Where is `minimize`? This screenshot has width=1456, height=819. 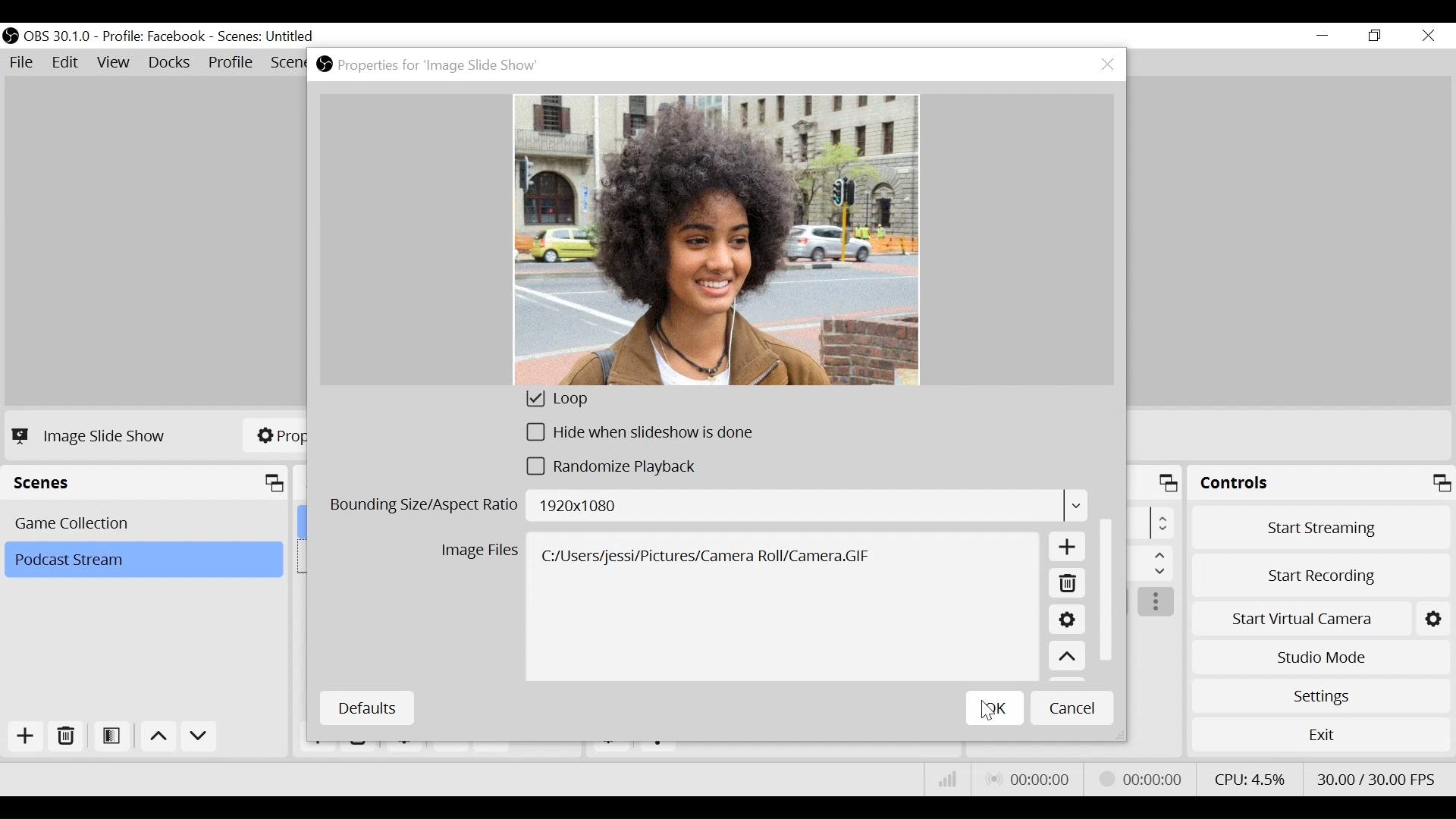 minimize is located at coordinates (1326, 36).